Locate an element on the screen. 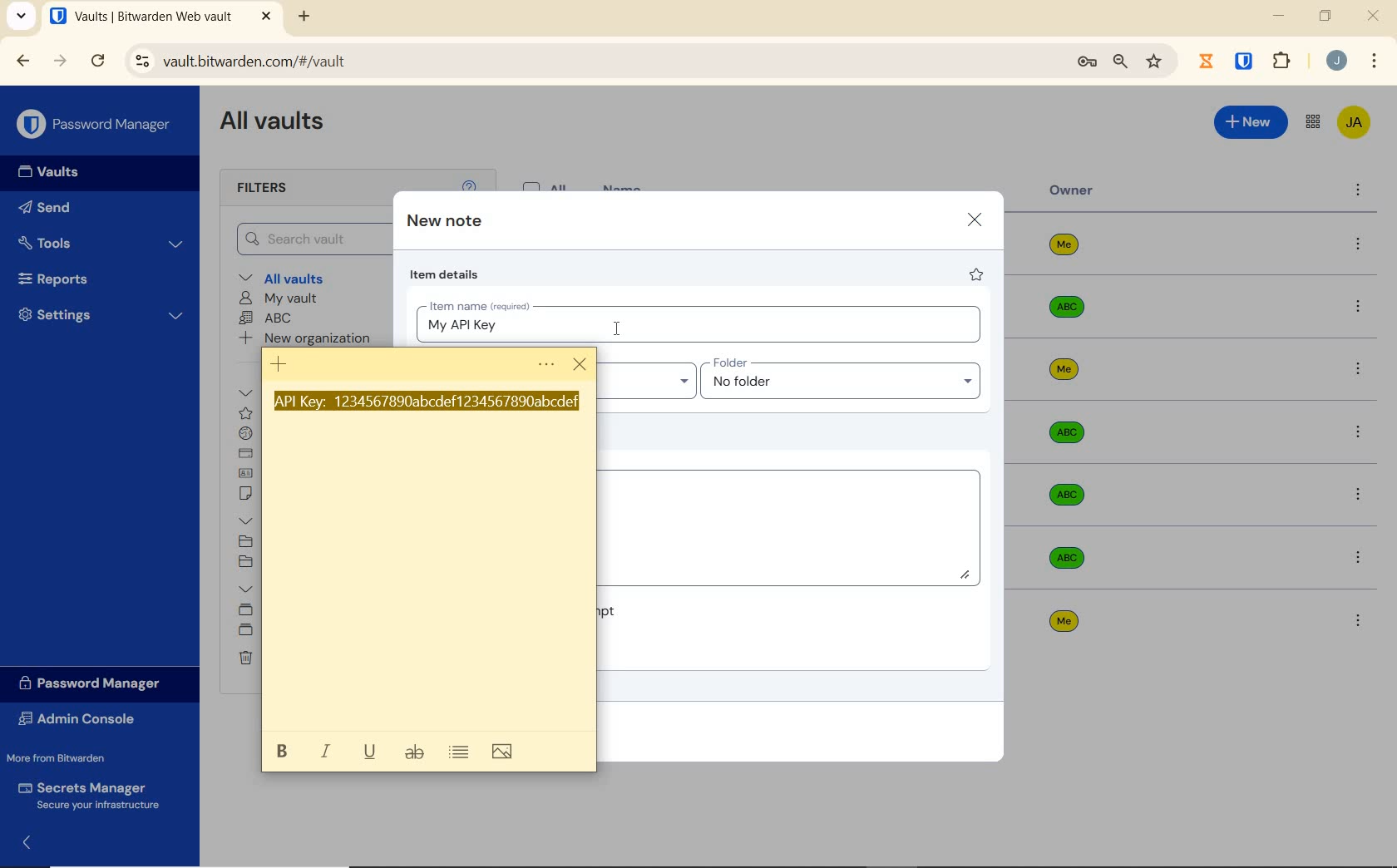 The height and width of the screenshot is (868, 1397). Admin Console is located at coordinates (82, 719).